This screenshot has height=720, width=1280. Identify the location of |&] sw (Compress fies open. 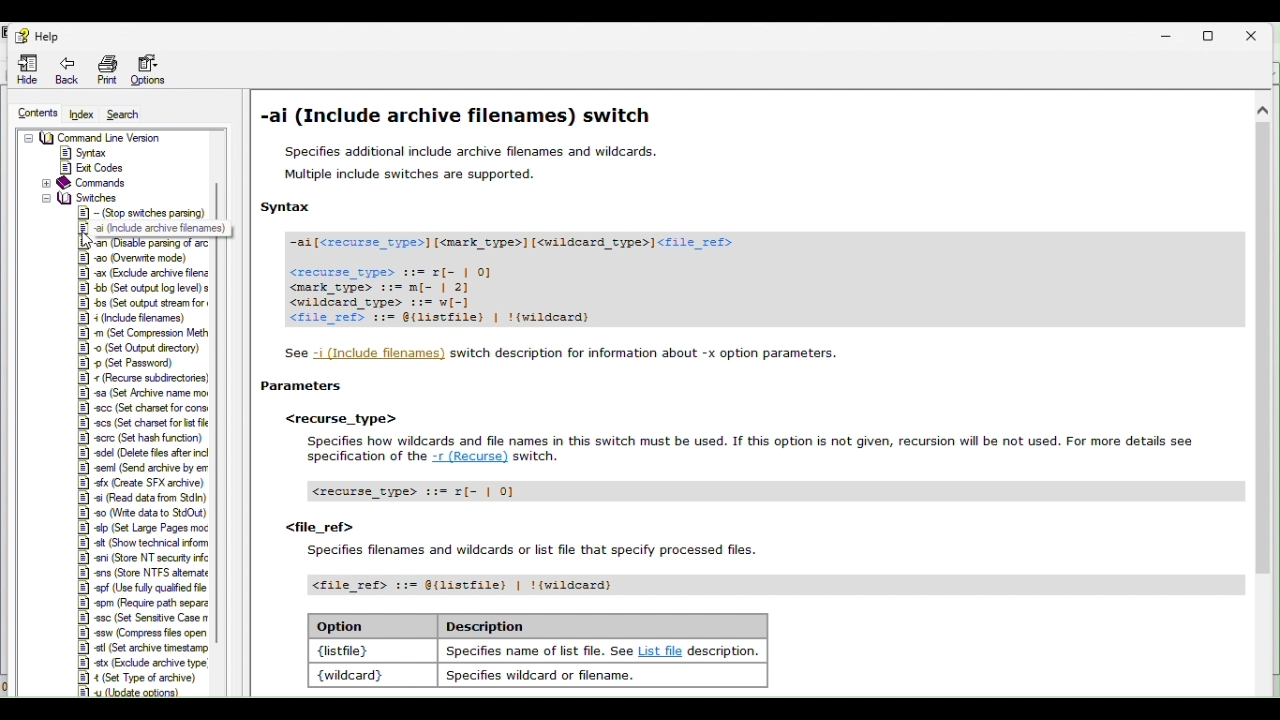
(144, 632).